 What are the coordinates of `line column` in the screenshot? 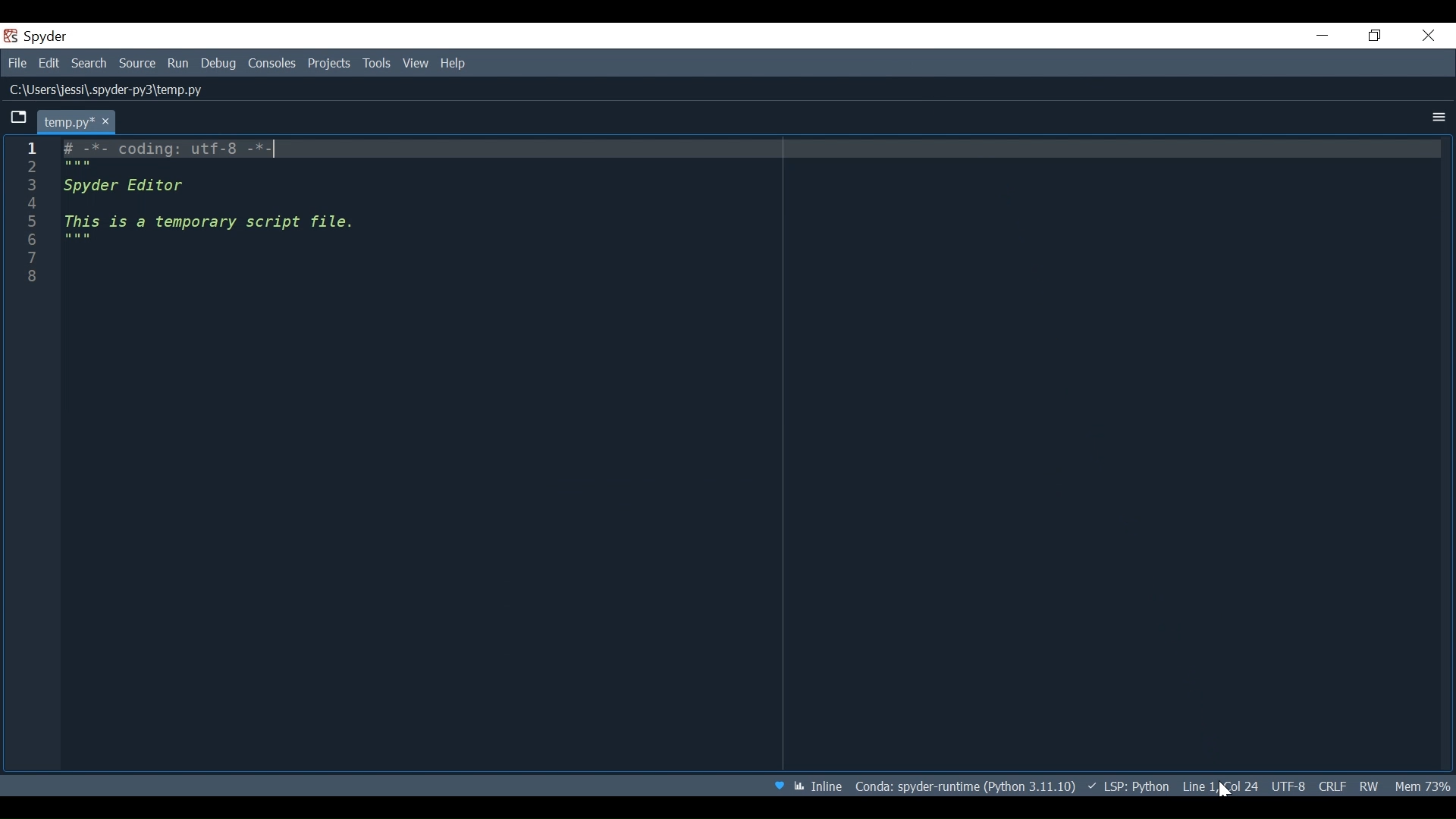 It's located at (36, 457).